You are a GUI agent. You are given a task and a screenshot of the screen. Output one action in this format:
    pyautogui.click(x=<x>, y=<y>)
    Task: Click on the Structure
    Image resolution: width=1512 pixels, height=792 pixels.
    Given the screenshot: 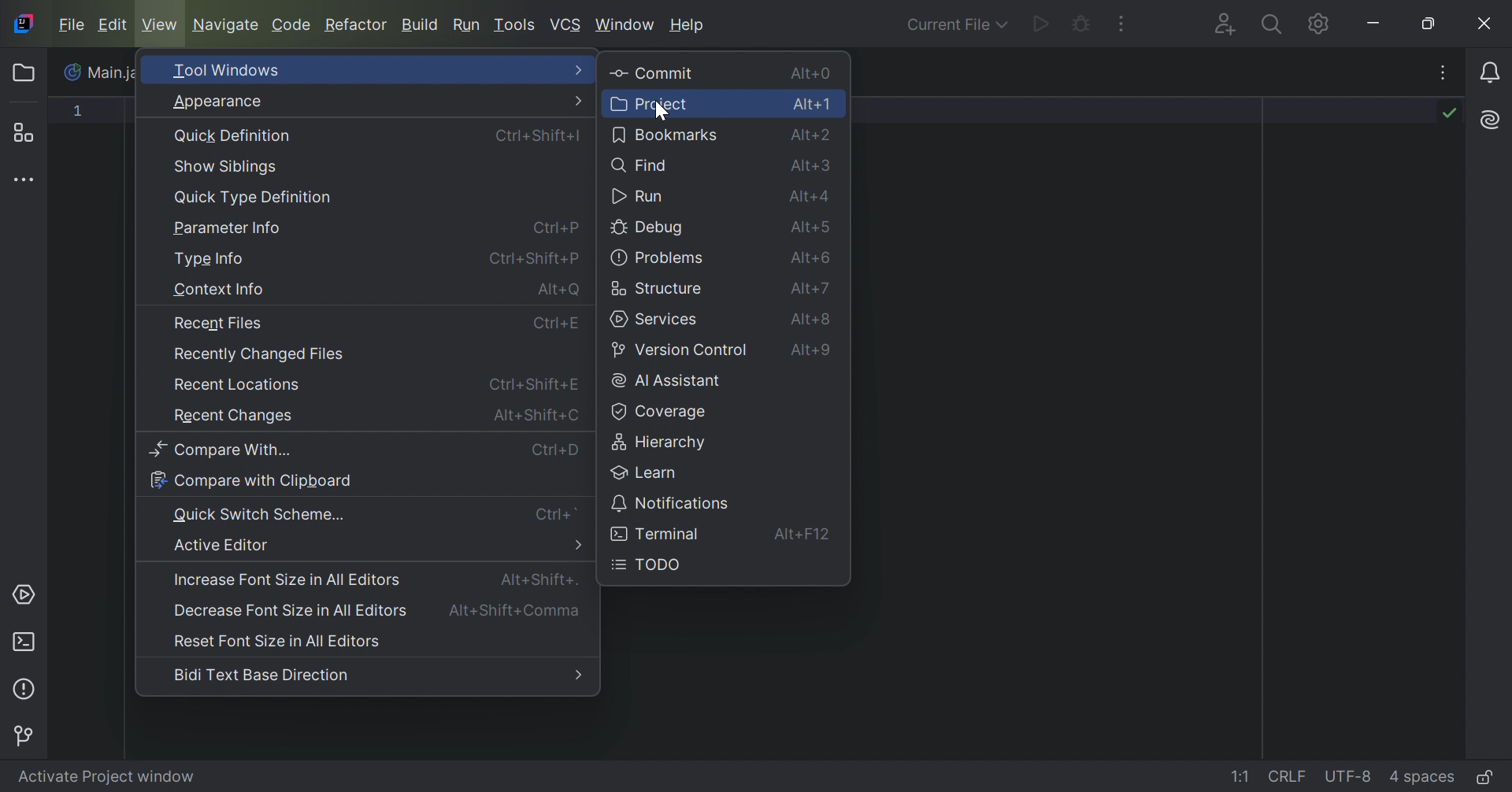 What is the action you would take?
    pyautogui.click(x=29, y=132)
    